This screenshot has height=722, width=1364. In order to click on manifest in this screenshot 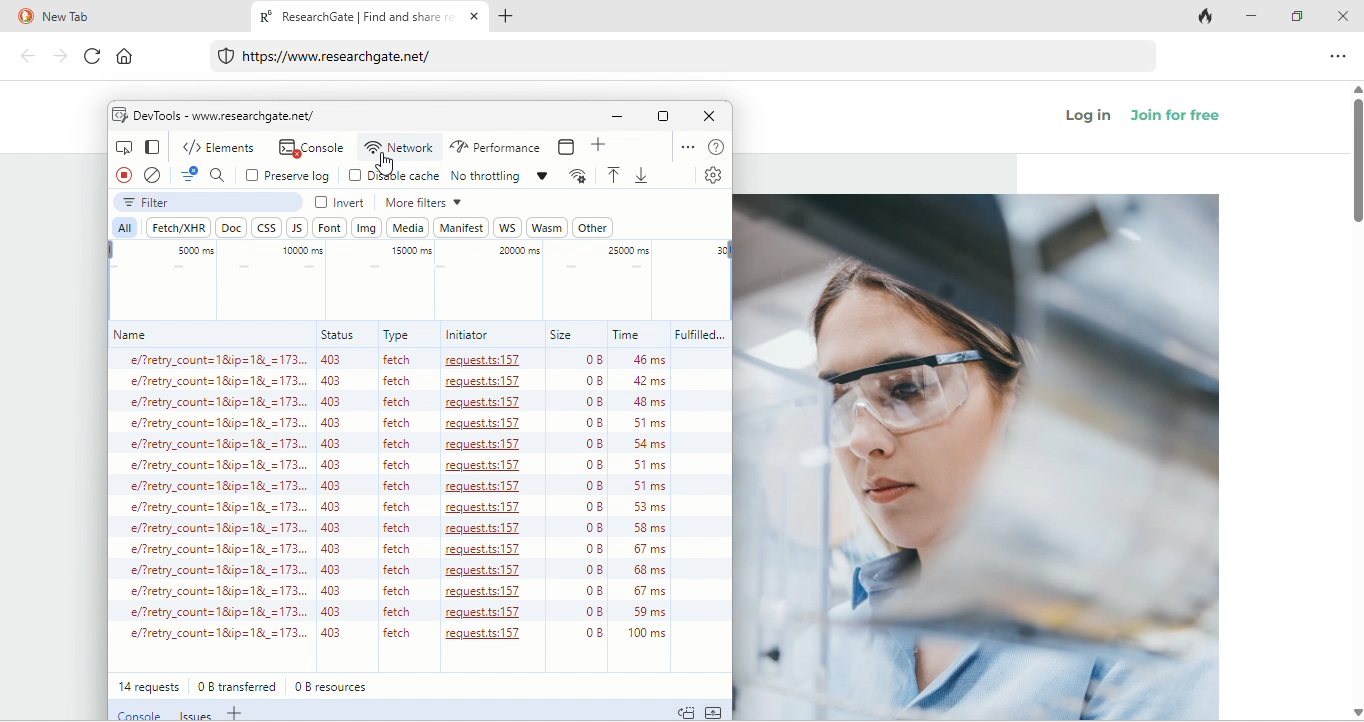, I will do `click(461, 226)`.